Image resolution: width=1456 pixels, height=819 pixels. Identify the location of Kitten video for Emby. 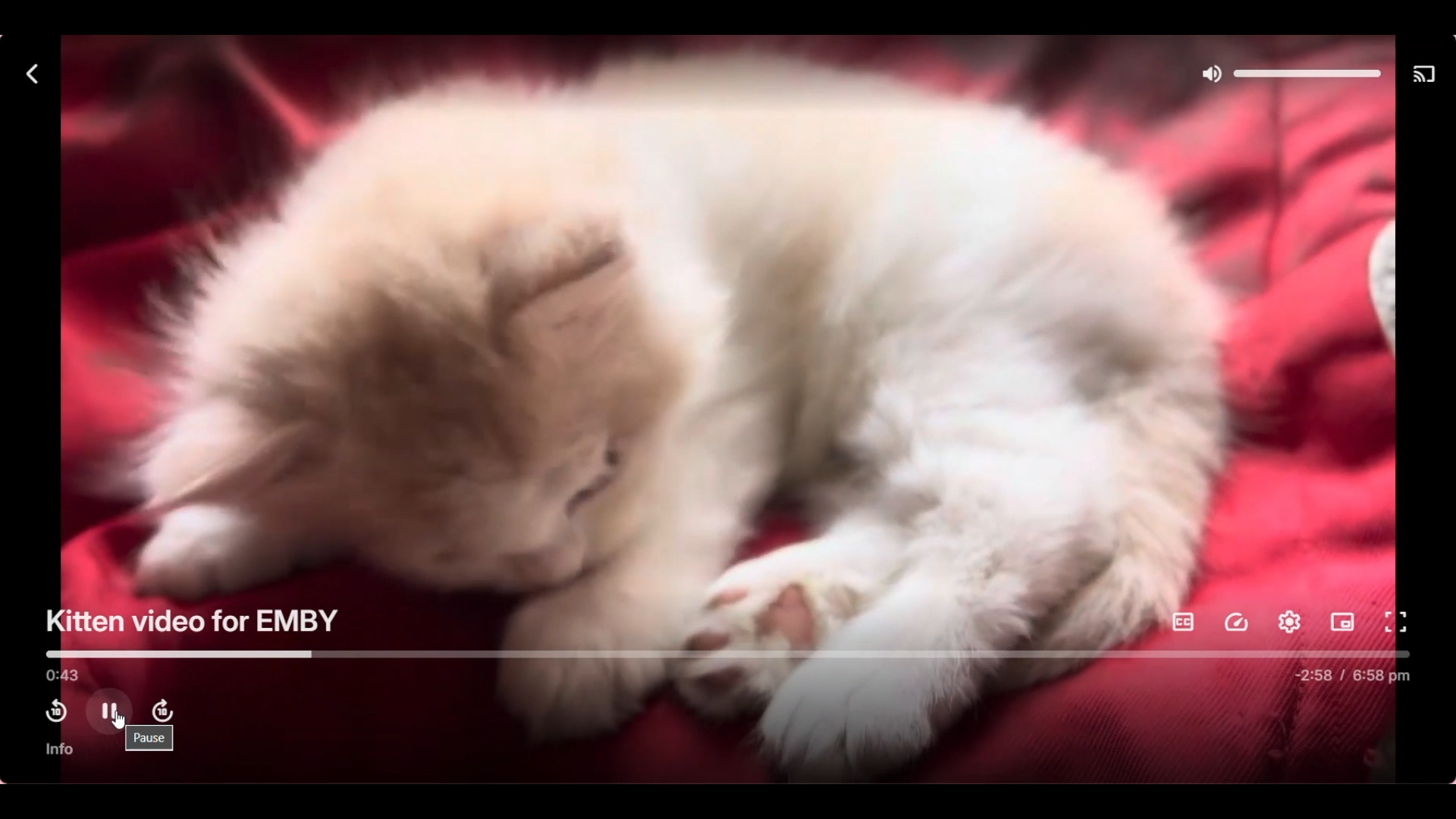
(193, 622).